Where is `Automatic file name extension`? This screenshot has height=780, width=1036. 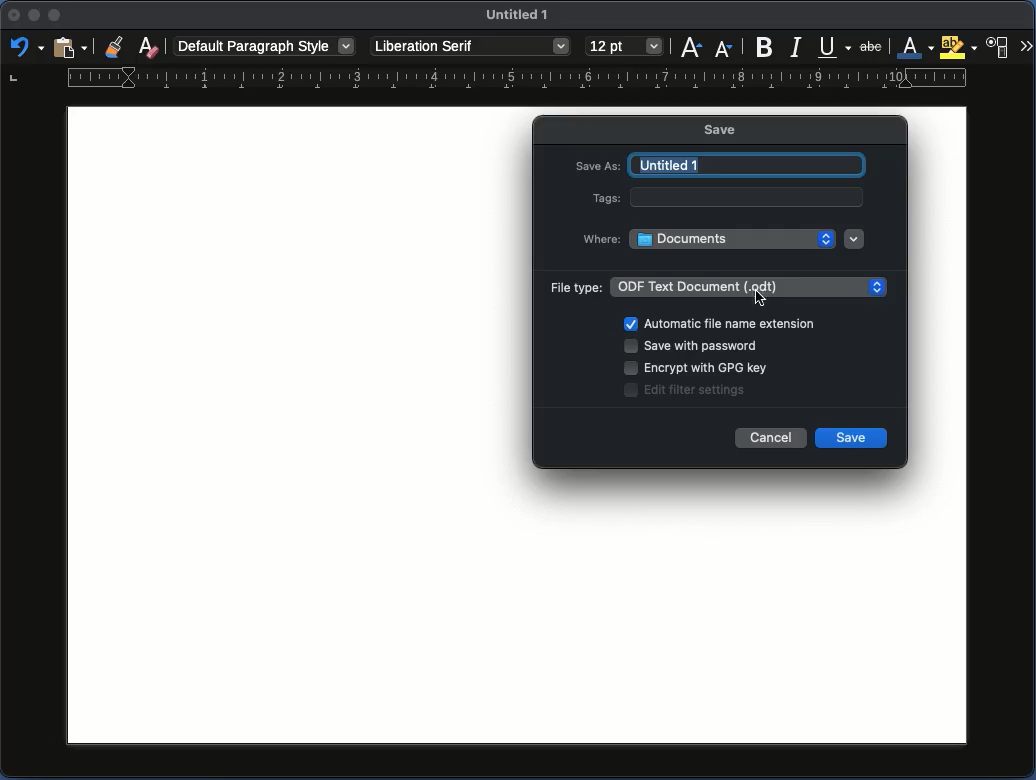
Automatic file name extension is located at coordinates (723, 322).